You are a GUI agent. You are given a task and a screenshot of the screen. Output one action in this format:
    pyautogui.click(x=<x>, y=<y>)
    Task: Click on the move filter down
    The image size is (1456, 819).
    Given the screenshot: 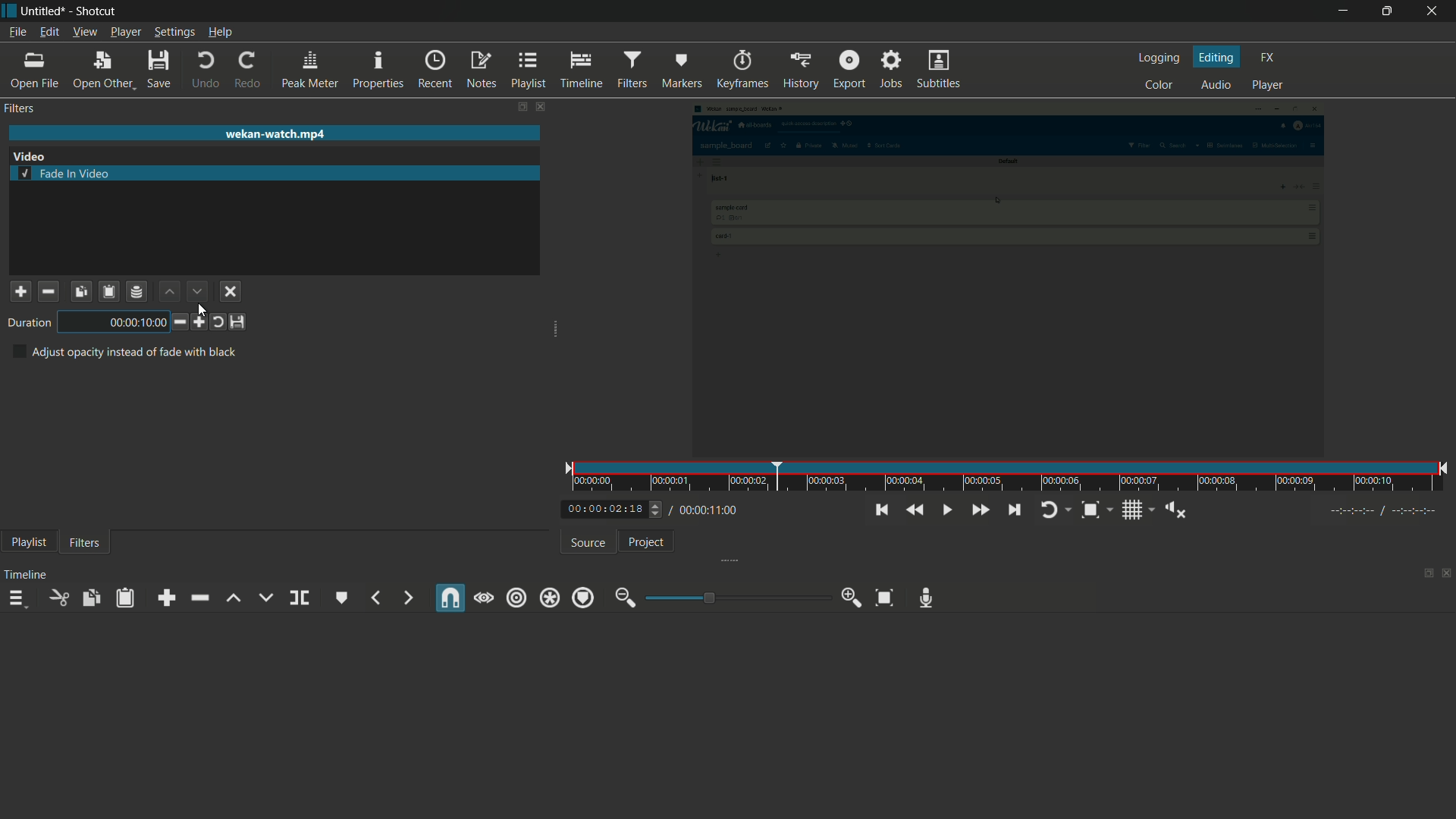 What is the action you would take?
    pyautogui.click(x=197, y=291)
    